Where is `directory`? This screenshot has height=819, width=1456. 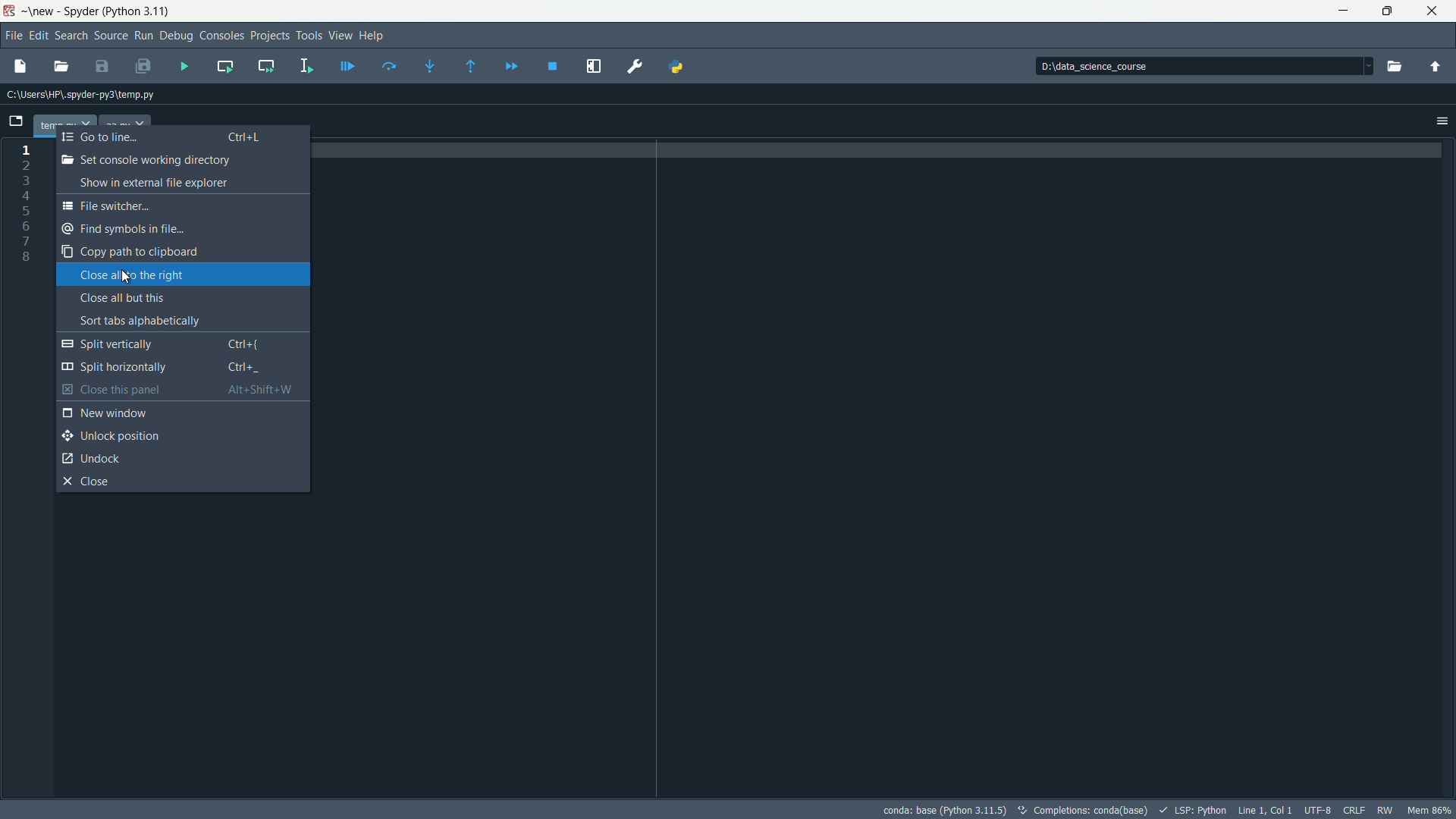
directory is located at coordinates (1146, 67).